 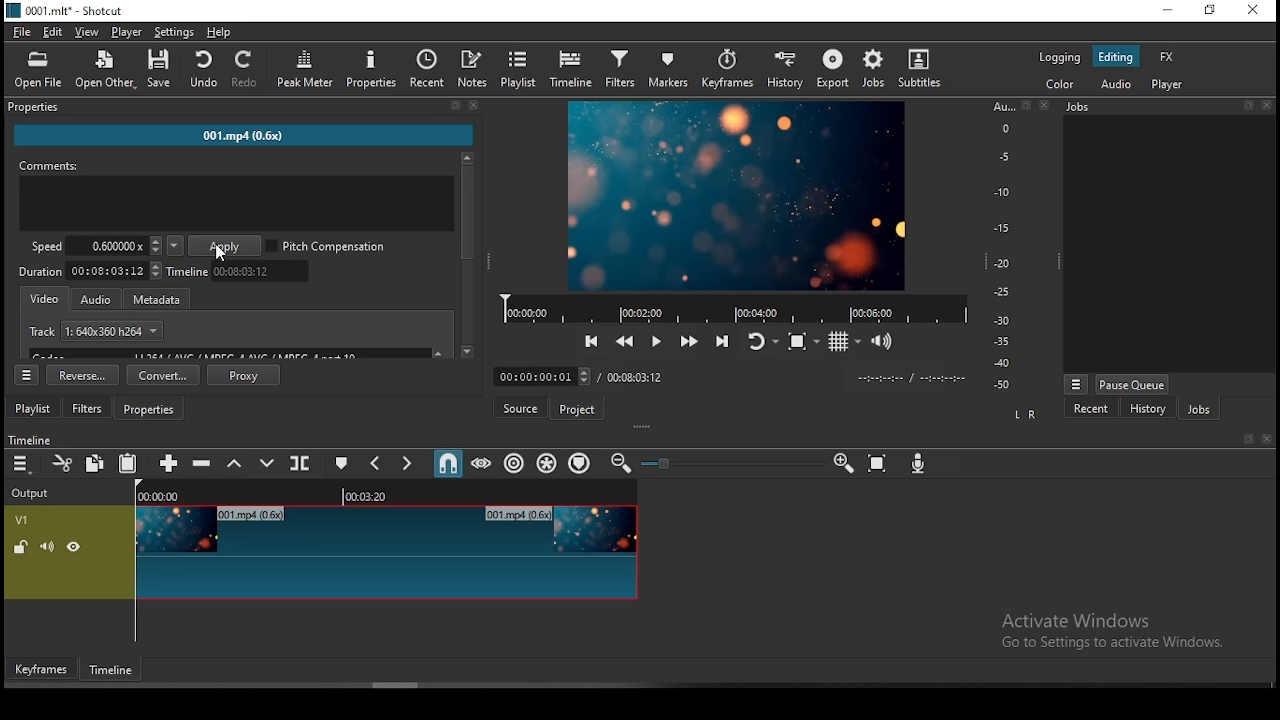 I want to click on peak meter, so click(x=305, y=67).